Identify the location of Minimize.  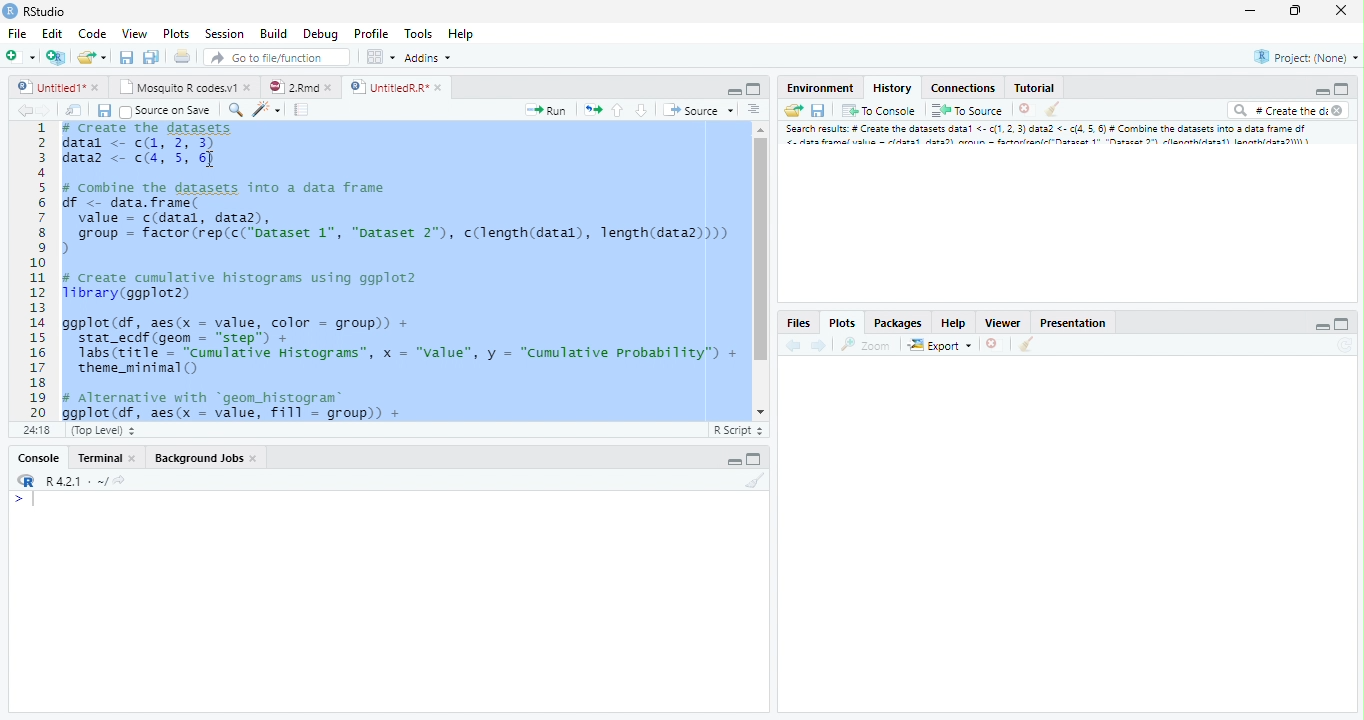
(733, 91).